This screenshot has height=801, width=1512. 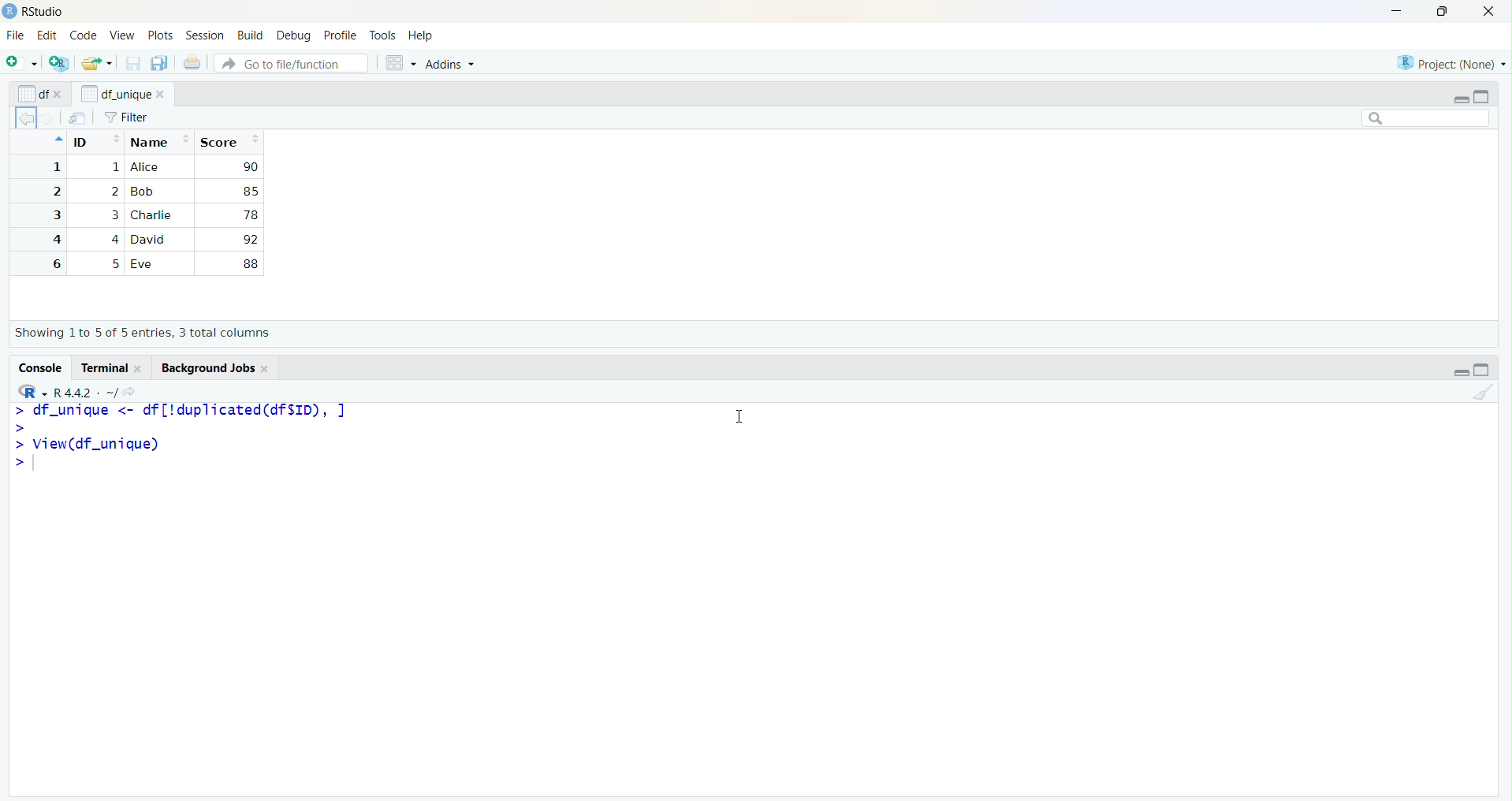 What do you see at coordinates (250, 215) in the screenshot?
I see `78` at bounding box center [250, 215].